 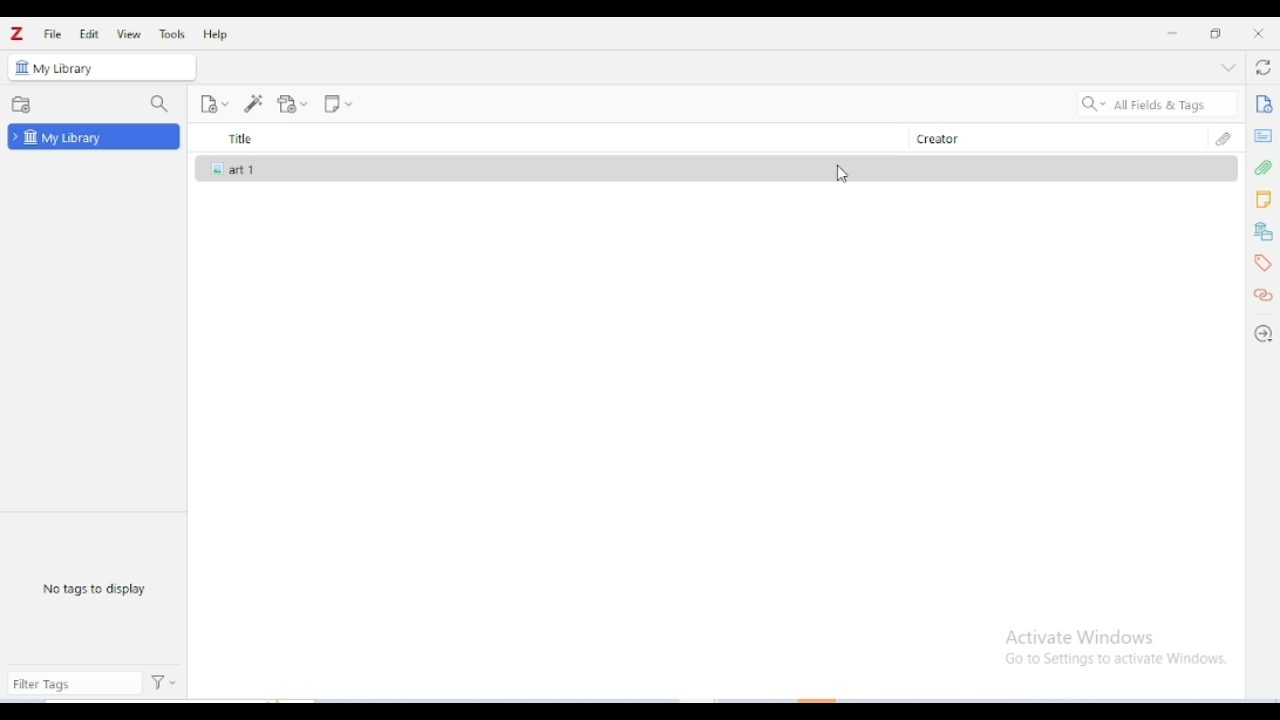 I want to click on search all fields & tags, so click(x=1158, y=104).